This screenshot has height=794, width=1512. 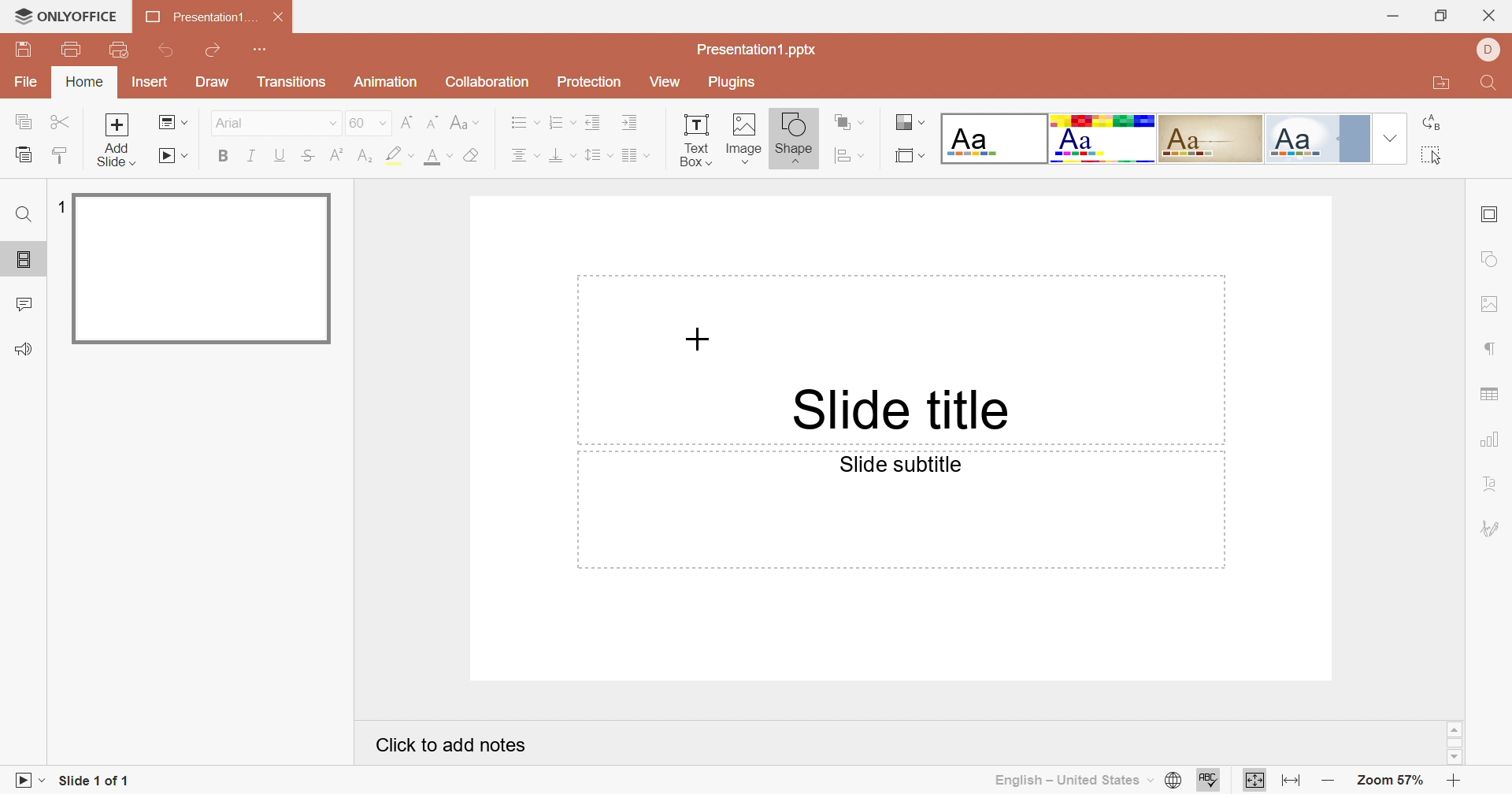 I want to click on View, so click(x=665, y=83).